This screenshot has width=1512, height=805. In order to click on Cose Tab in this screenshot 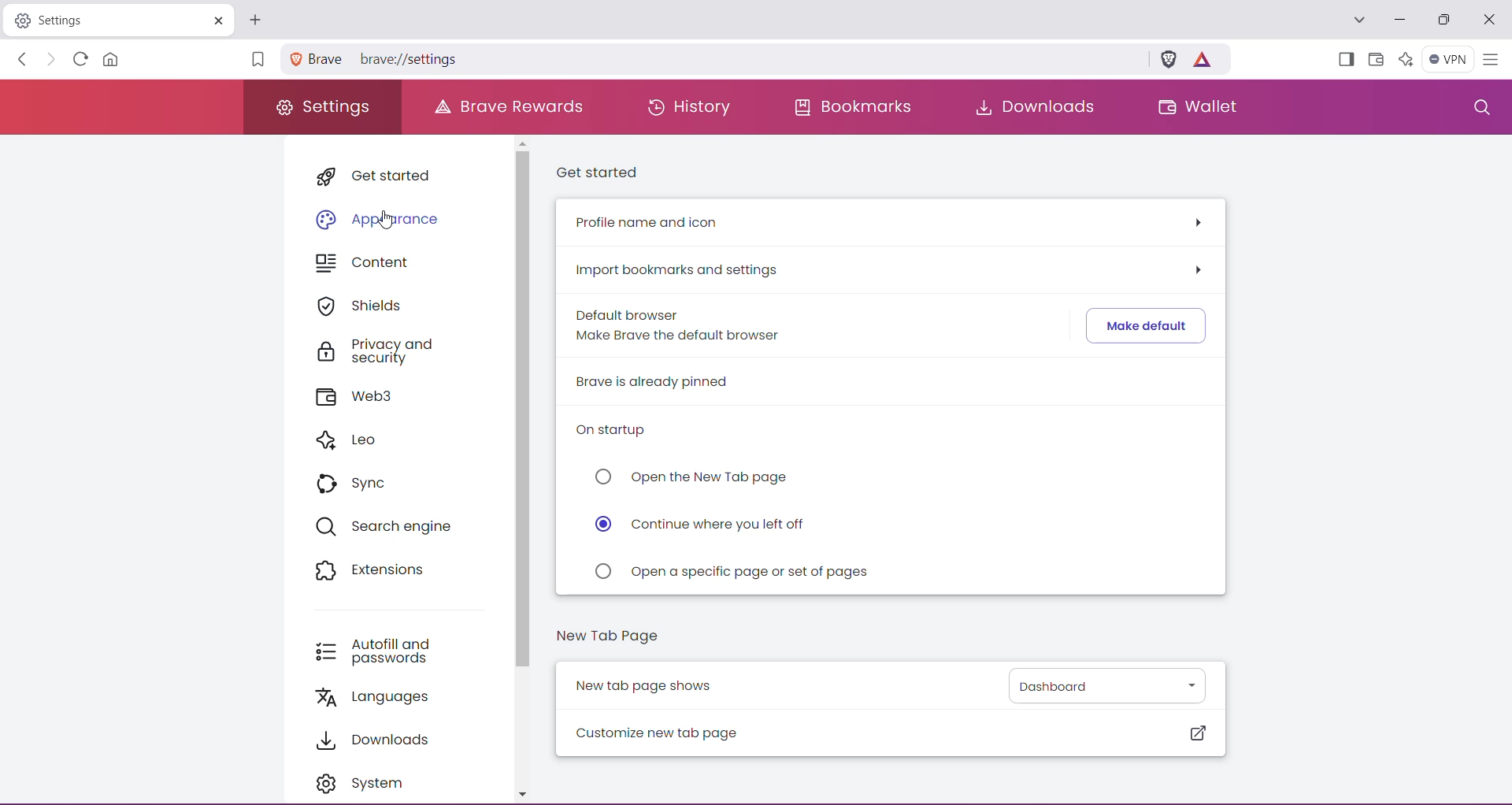, I will do `click(215, 20)`.